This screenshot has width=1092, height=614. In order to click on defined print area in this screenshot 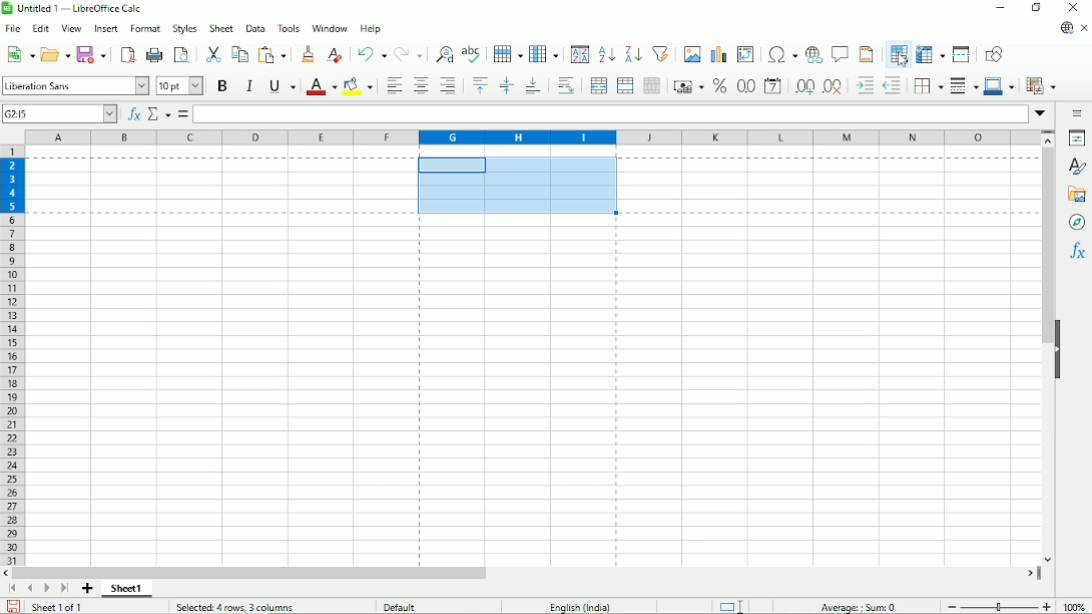, I will do `click(531, 186)`.